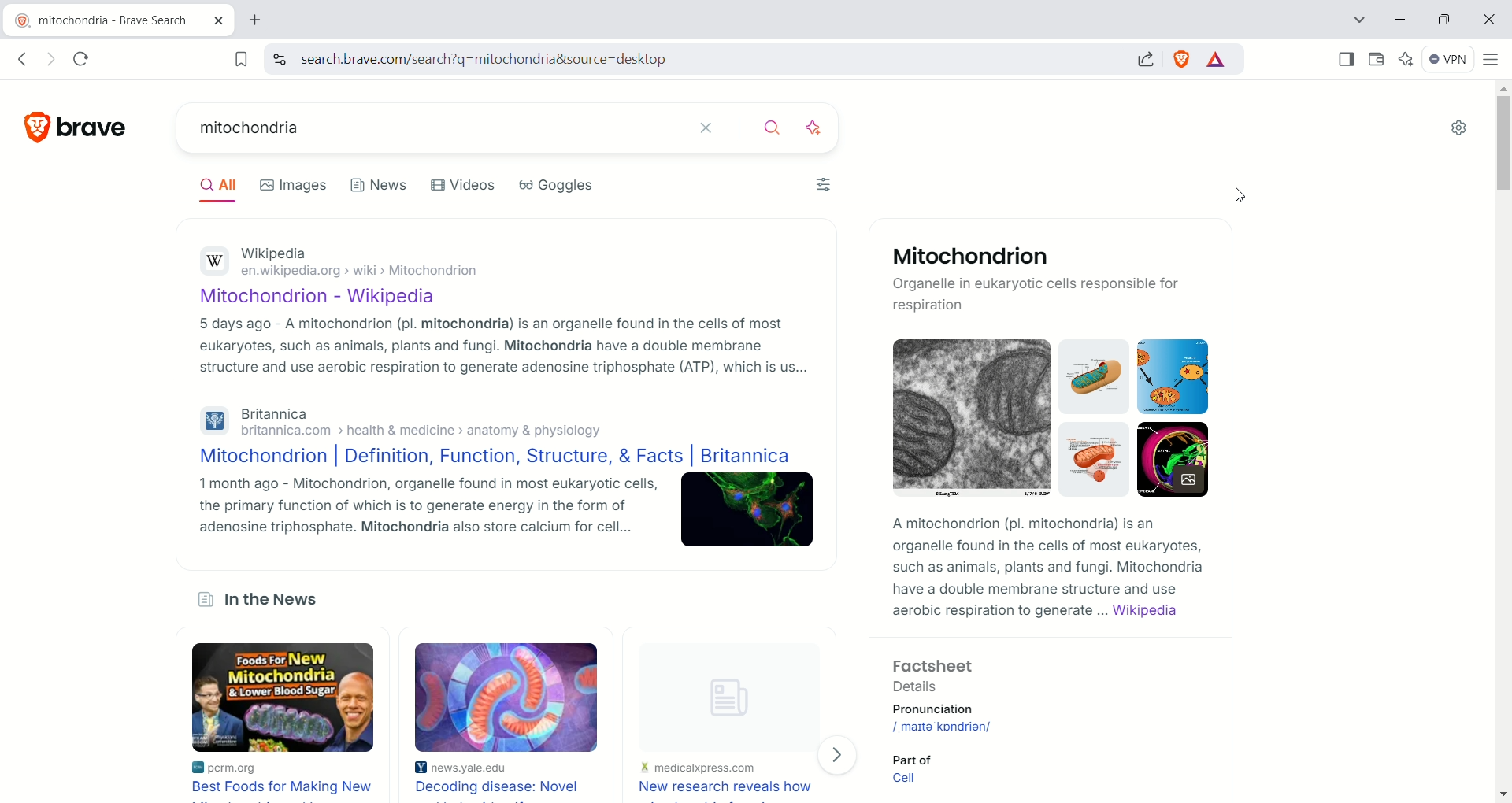 This screenshot has width=1512, height=803. What do you see at coordinates (838, 757) in the screenshot?
I see `Next` at bounding box center [838, 757].